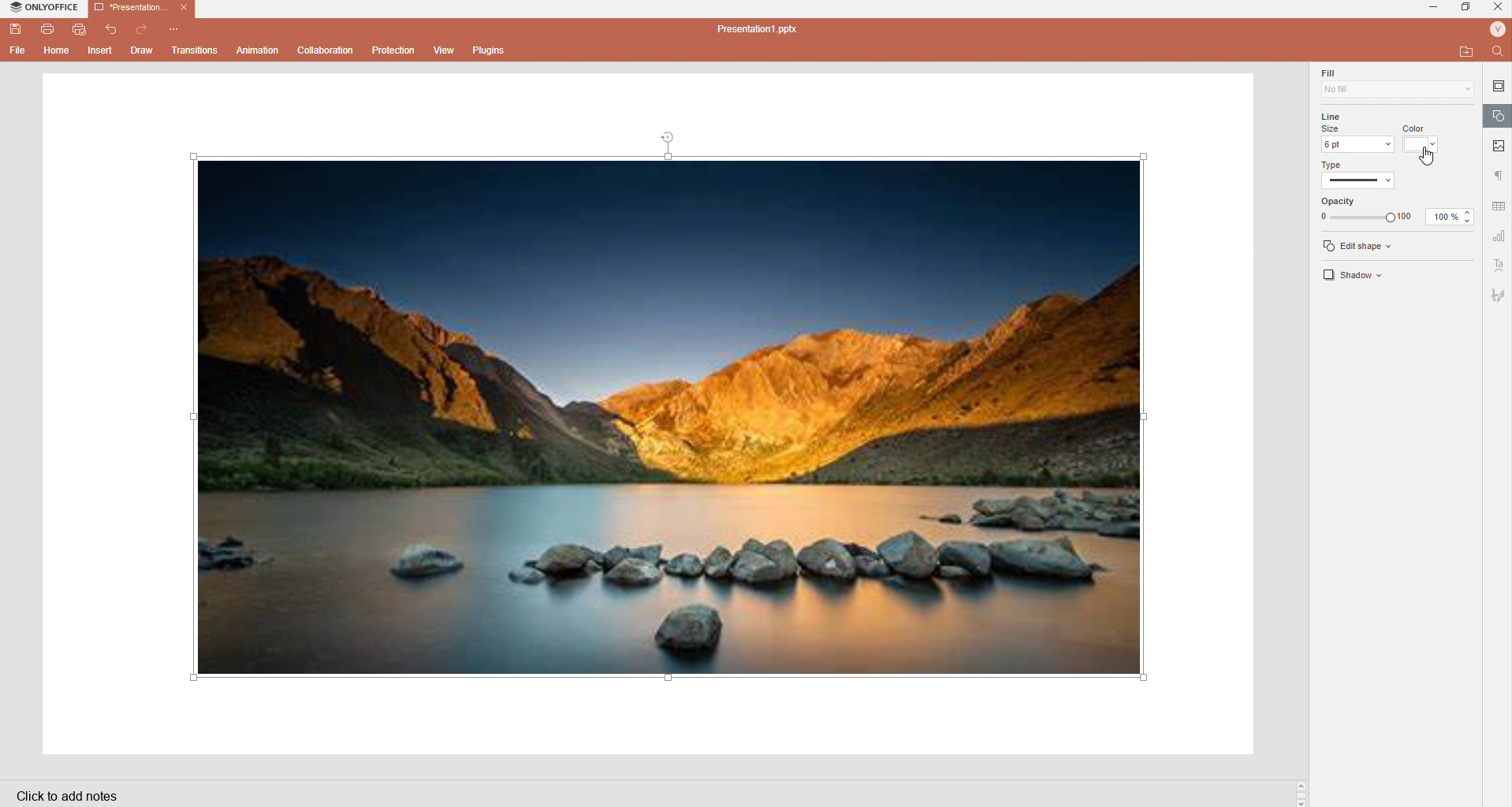 The height and width of the screenshot is (807, 1512). Describe the element at coordinates (1357, 133) in the screenshot. I see `Line size` at that location.